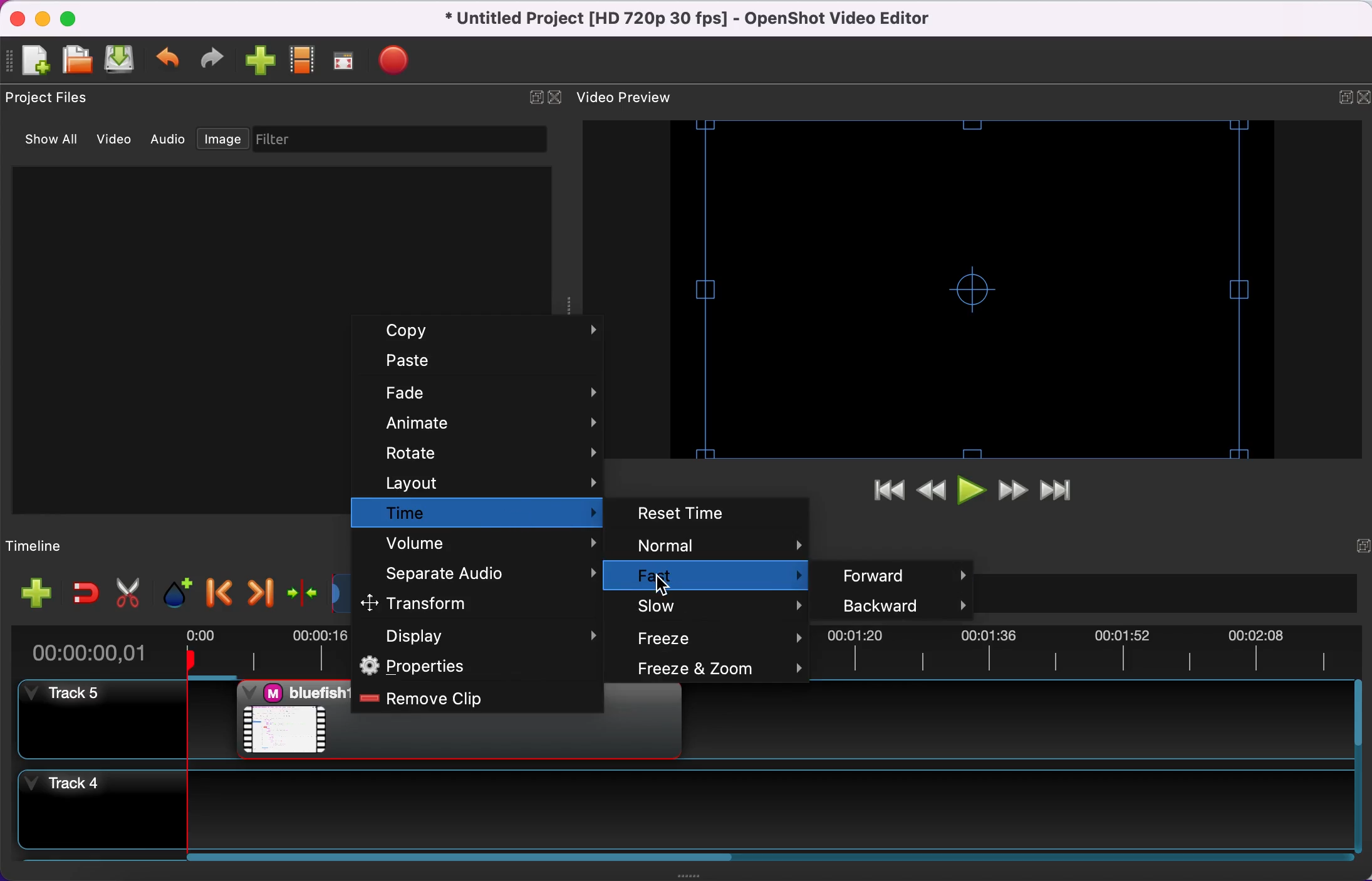 This screenshot has width=1372, height=881. What do you see at coordinates (44, 18) in the screenshot?
I see `minimize` at bounding box center [44, 18].